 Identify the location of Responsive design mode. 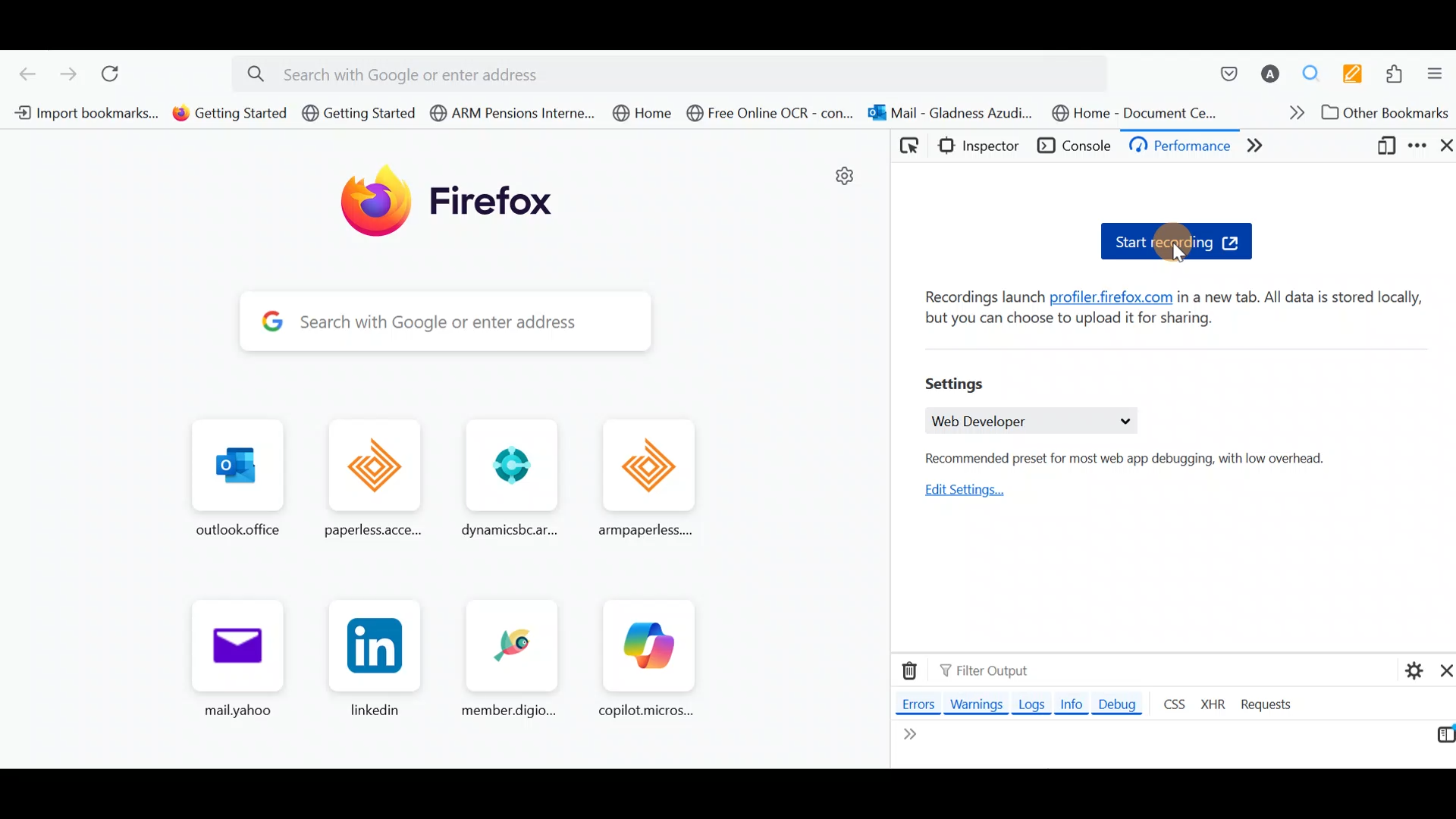
(1386, 149).